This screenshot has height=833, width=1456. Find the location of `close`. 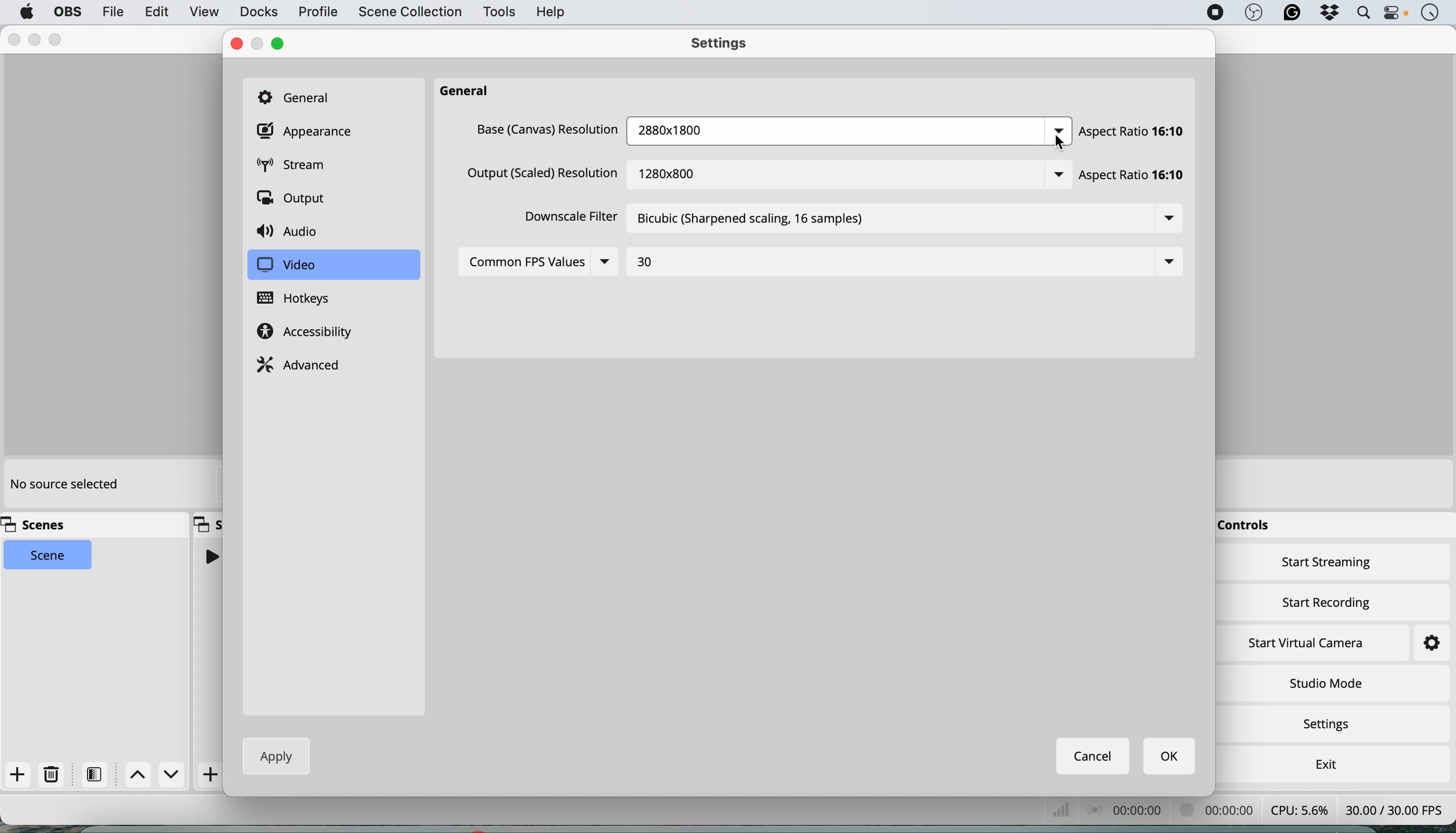

close is located at coordinates (236, 44).